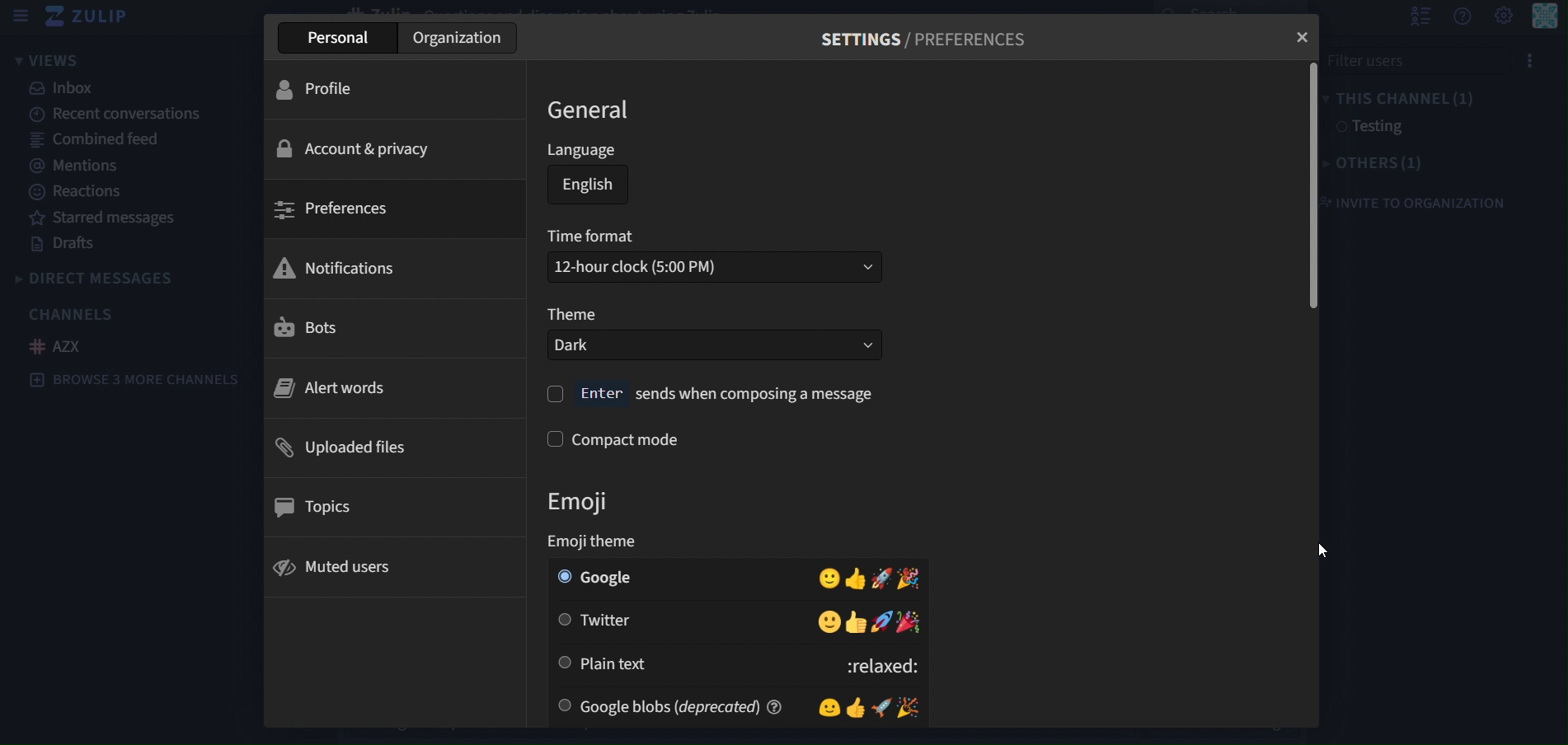 Image resolution: width=1568 pixels, height=745 pixels. I want to click on reactions, so click(89, 192).